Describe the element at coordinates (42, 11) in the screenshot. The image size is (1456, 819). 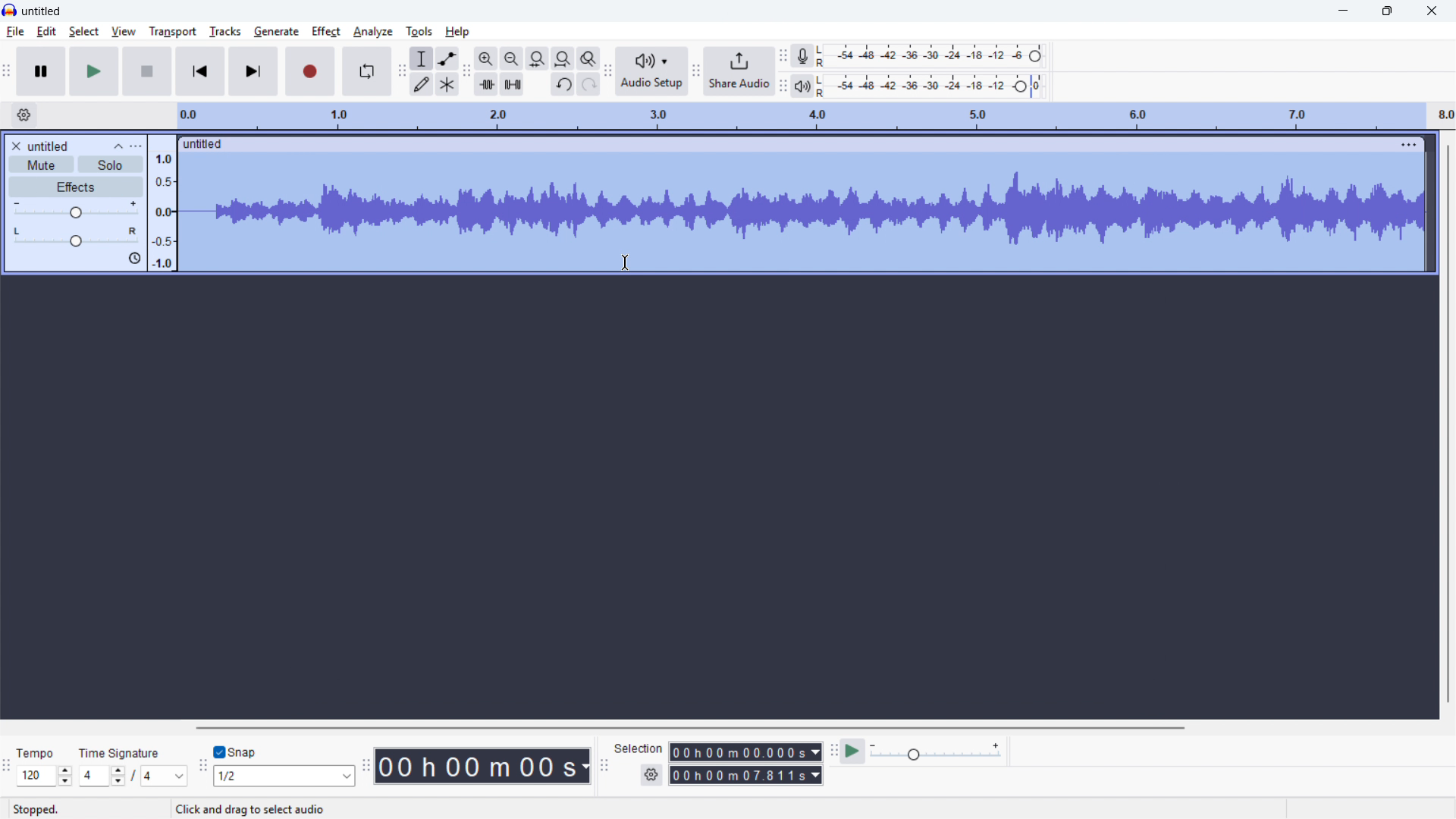
I see `project title` at that location.